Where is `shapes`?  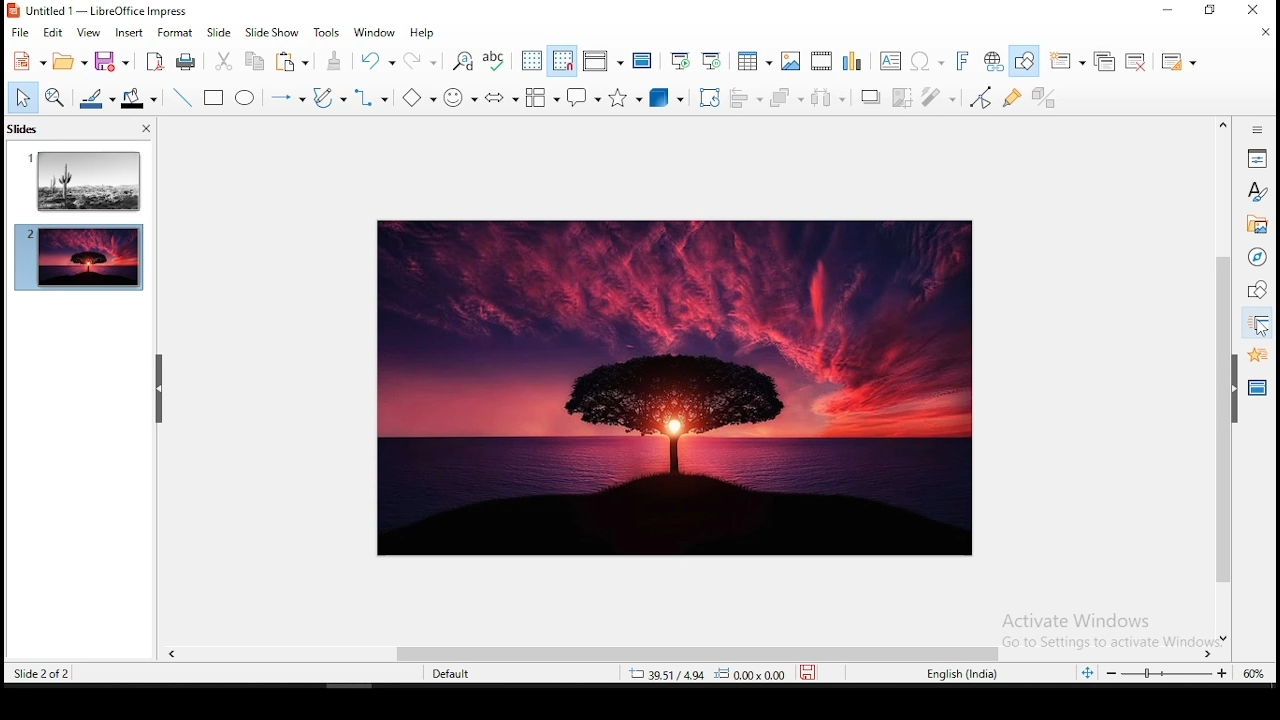
shapes is located at coordinates (1259, 290).